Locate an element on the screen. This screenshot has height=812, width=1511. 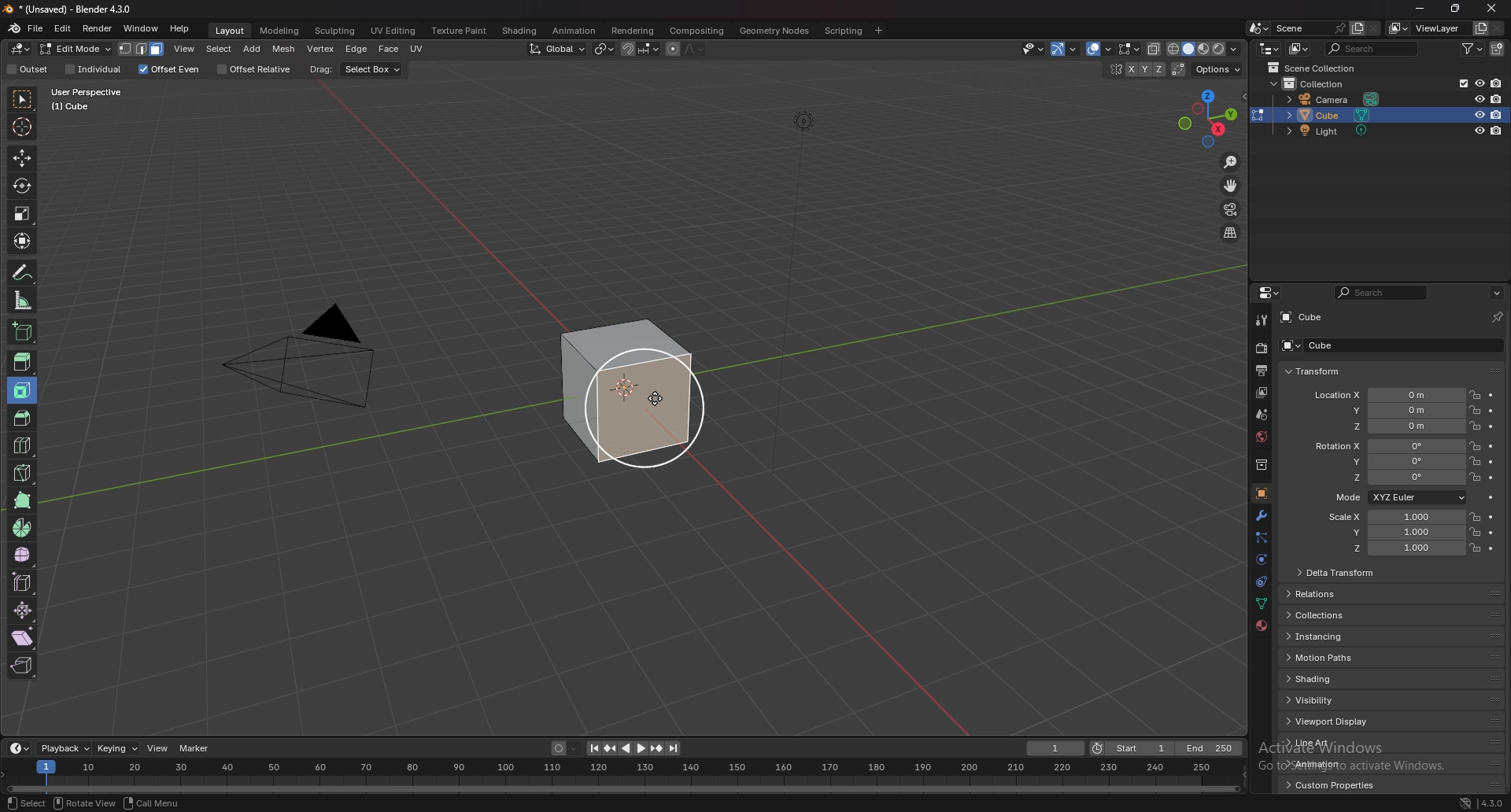
editor type is located at coordinates (18, 749).